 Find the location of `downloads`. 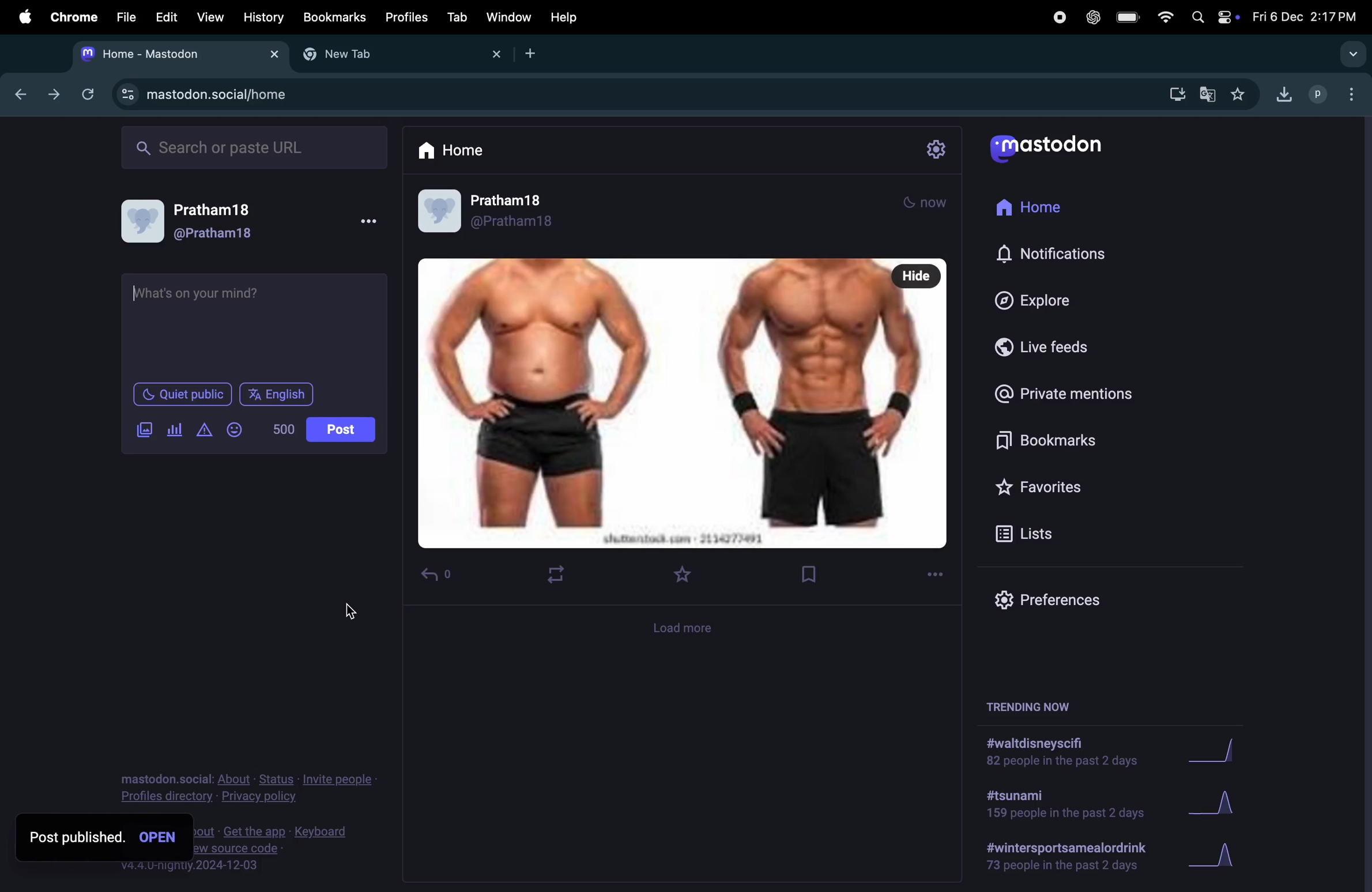

downloads is located at coordinates (1175, 92).